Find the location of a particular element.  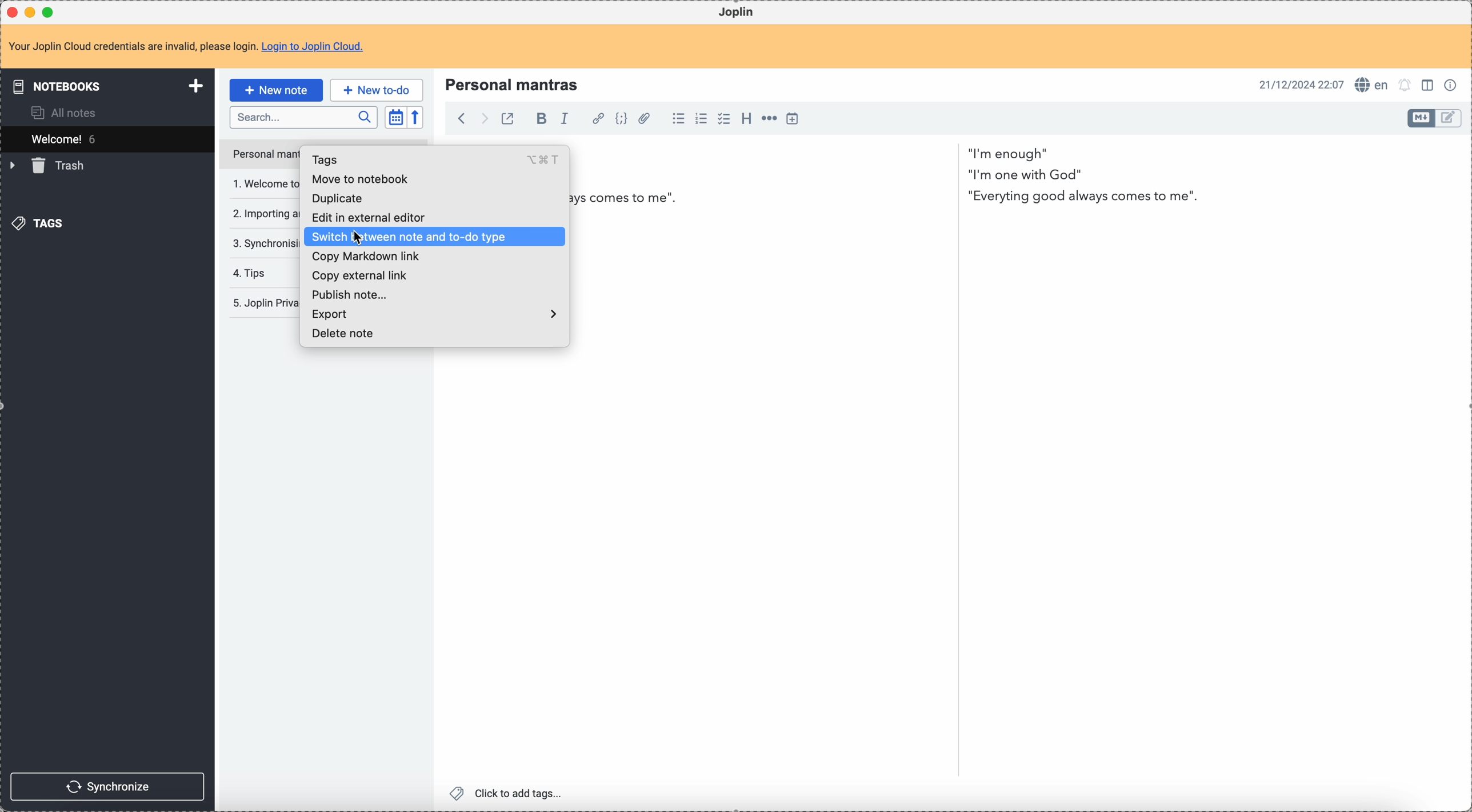

spell checker is located at coordinates (1372, 84).